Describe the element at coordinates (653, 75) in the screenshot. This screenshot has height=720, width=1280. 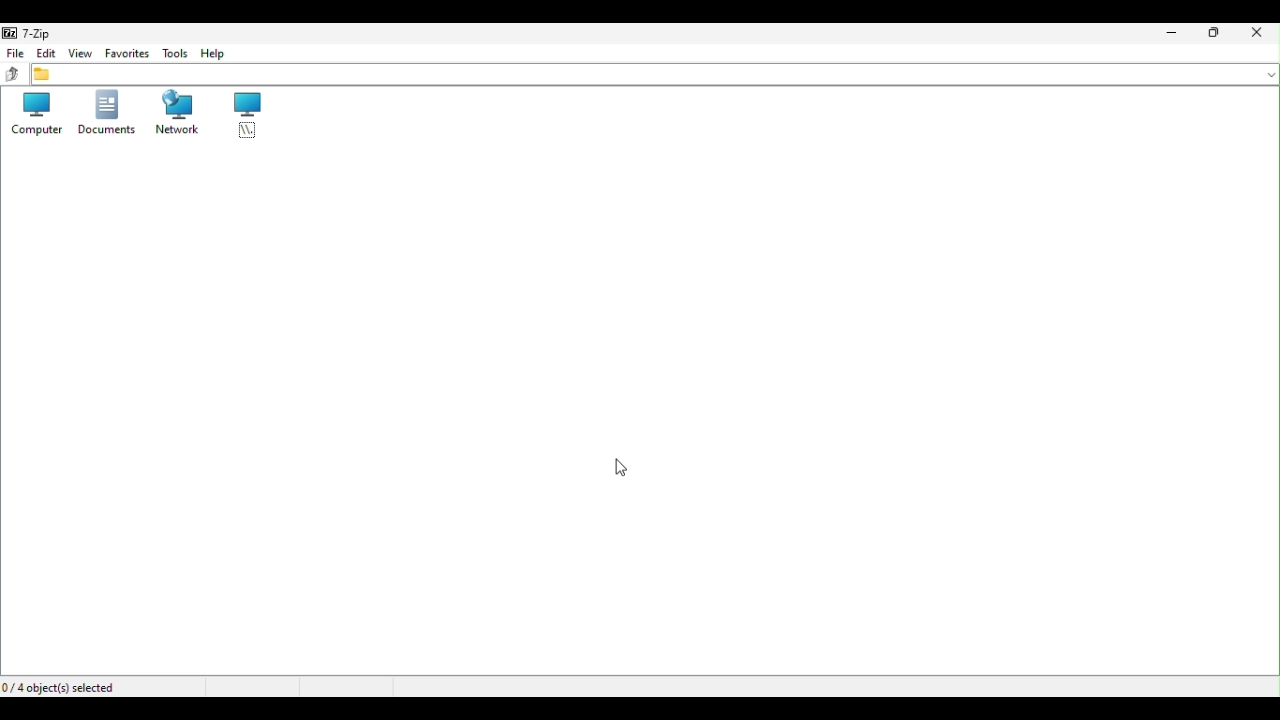
I see `File address bar` at that location.